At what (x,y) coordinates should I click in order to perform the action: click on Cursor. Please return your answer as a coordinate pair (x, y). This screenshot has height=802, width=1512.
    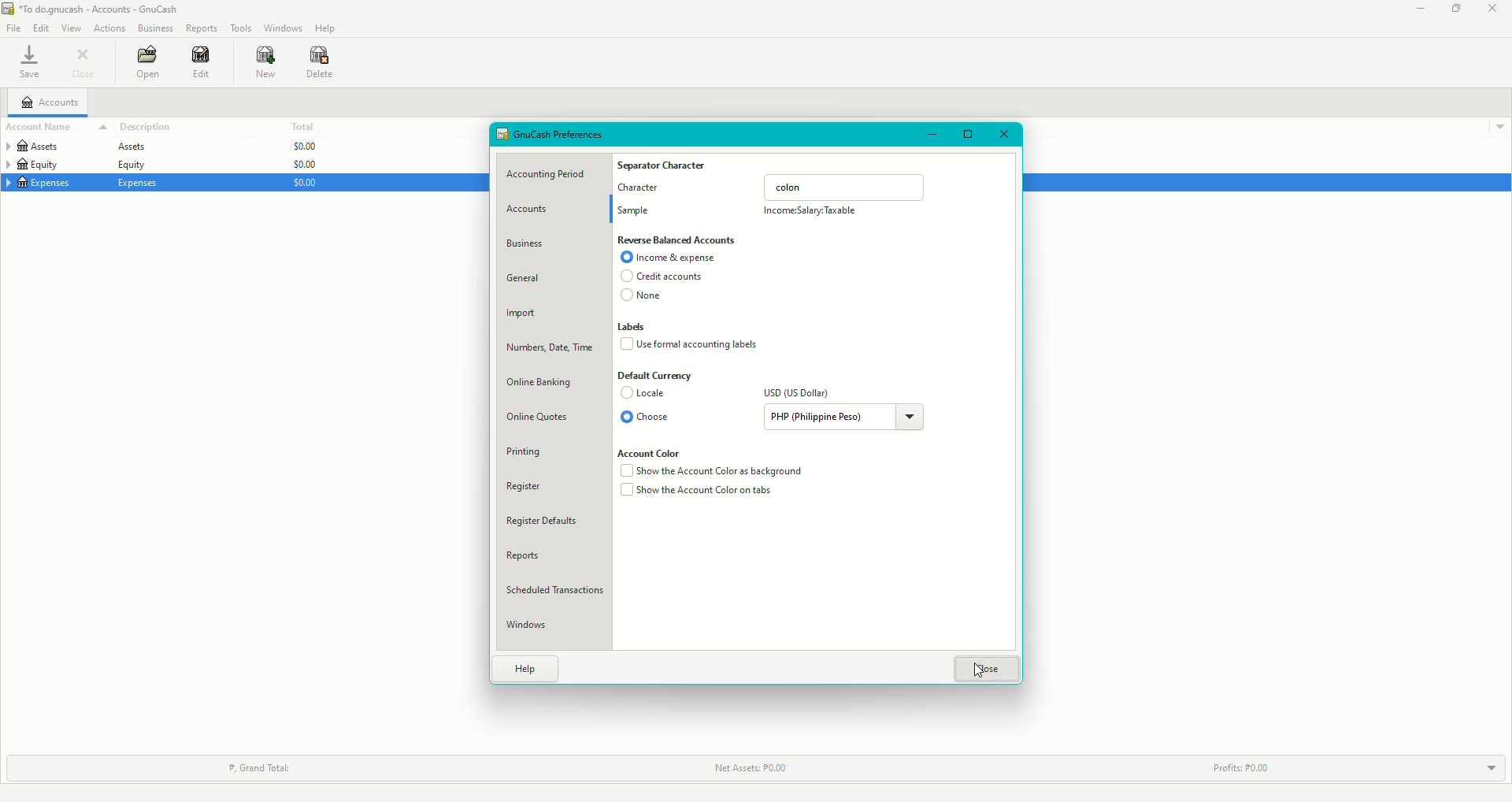
    Looking at the image, I should click on (986, 673).